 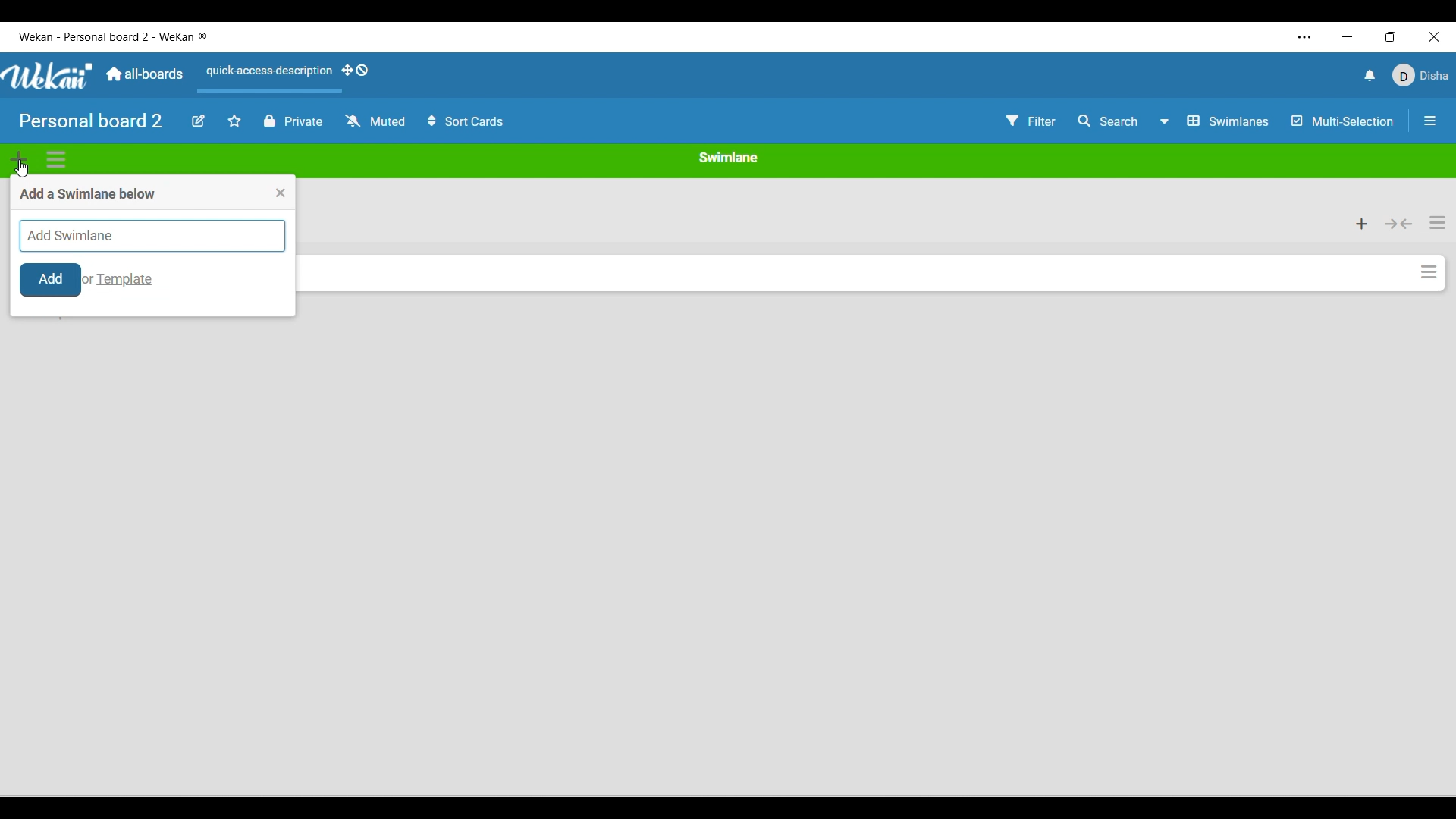 I want to click on Card options, so click(x=1429, y=272).